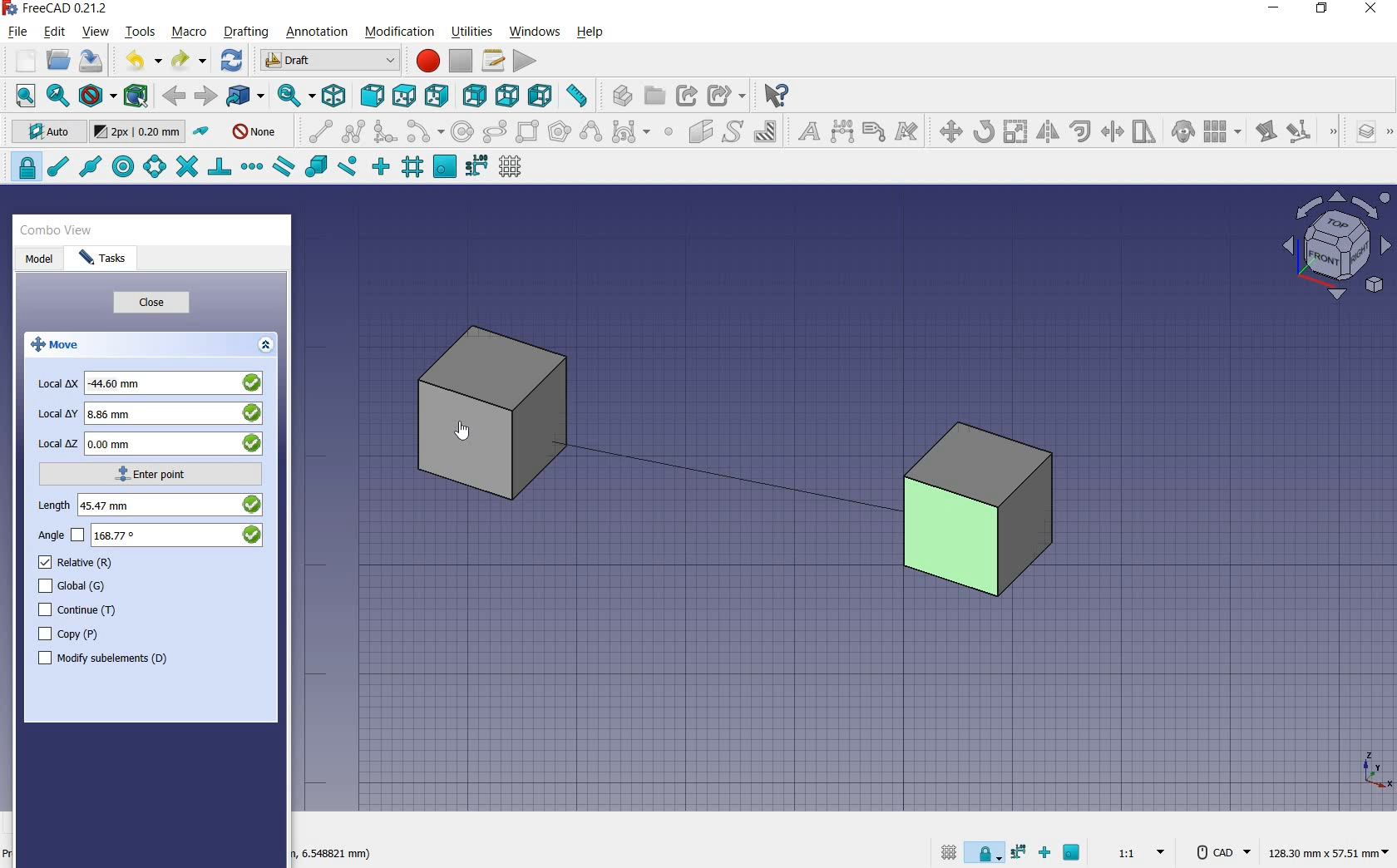 Image resolution: width=1397 pixels, height=868 pixels. What do you see at coordinates (232, 61) in the screenshot?
I see `refresh` at bounding box center [232, 61].